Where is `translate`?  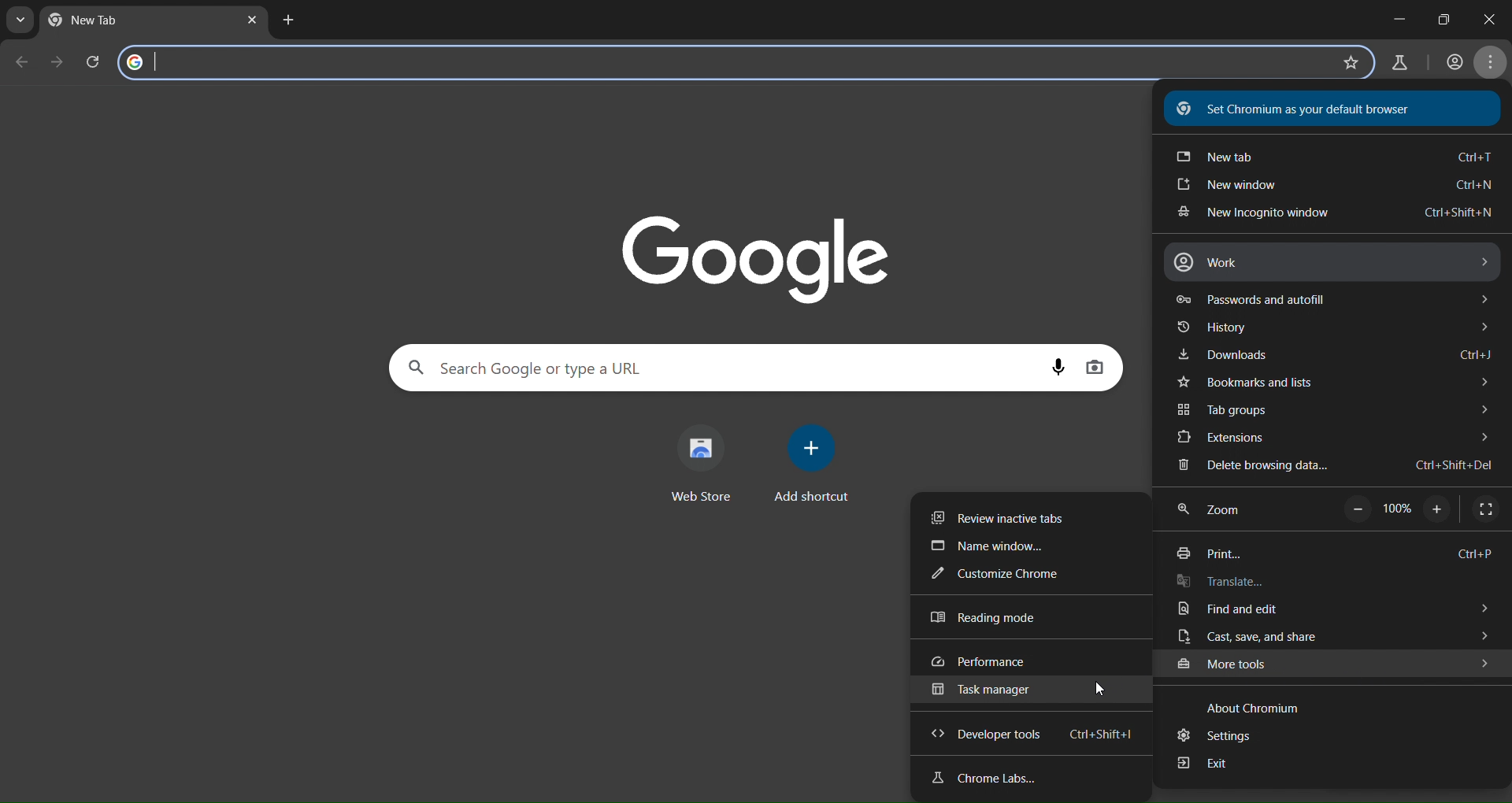
translate is located at coordinates (1251, 583).